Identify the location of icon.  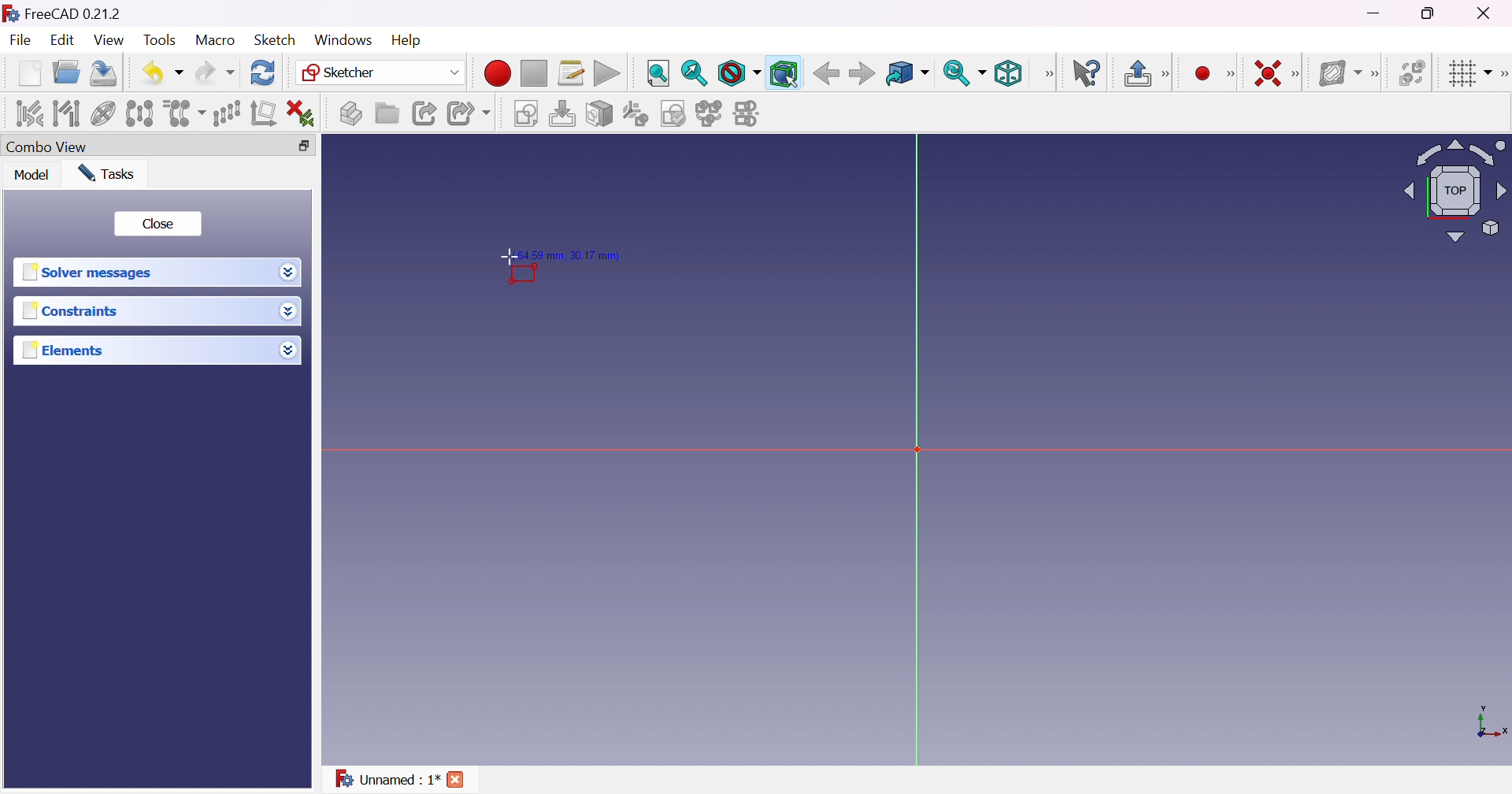
(10, 13).